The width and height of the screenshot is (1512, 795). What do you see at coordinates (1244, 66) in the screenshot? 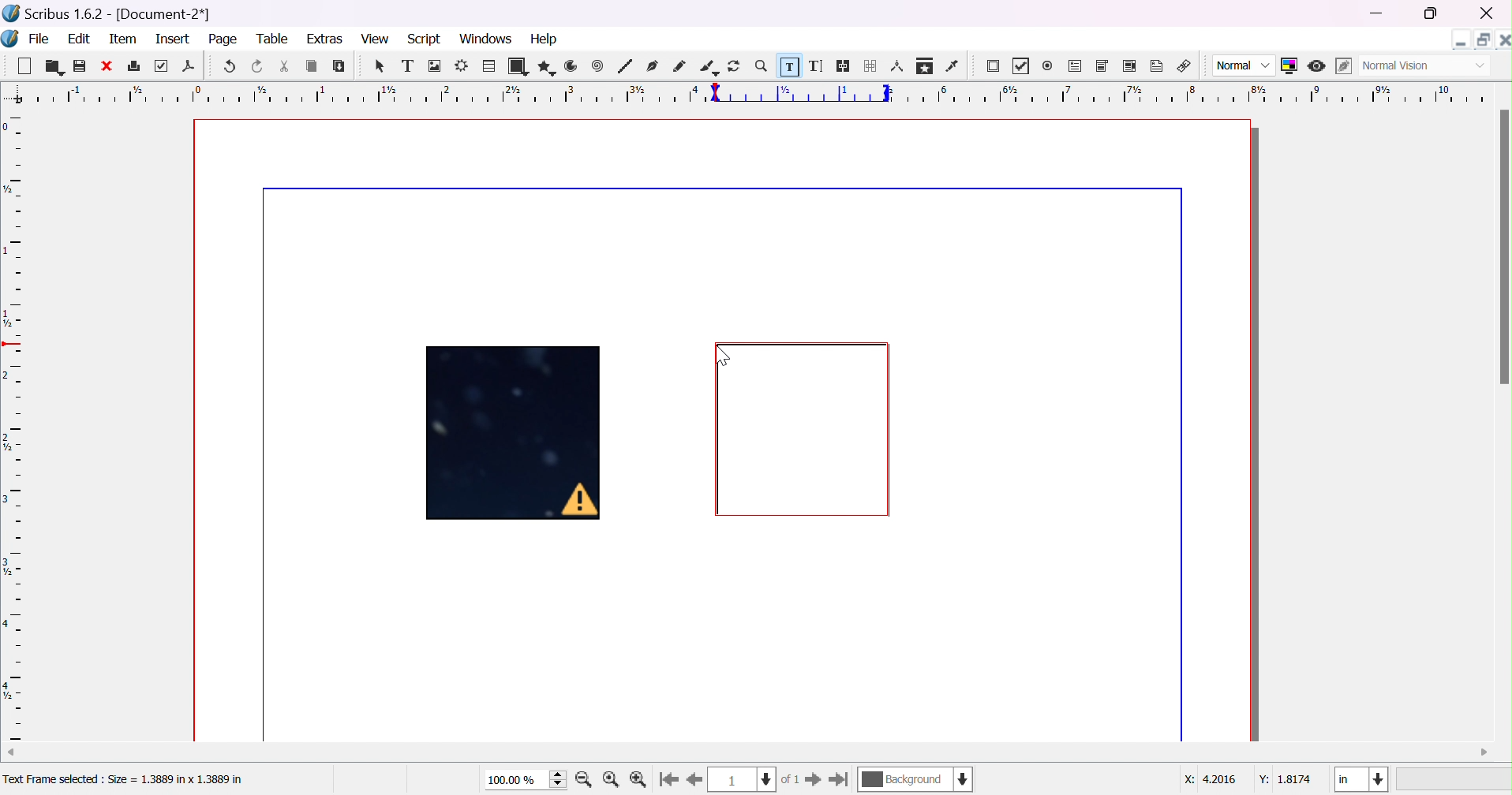
I see `normal` at bounding box center [1244, 66].